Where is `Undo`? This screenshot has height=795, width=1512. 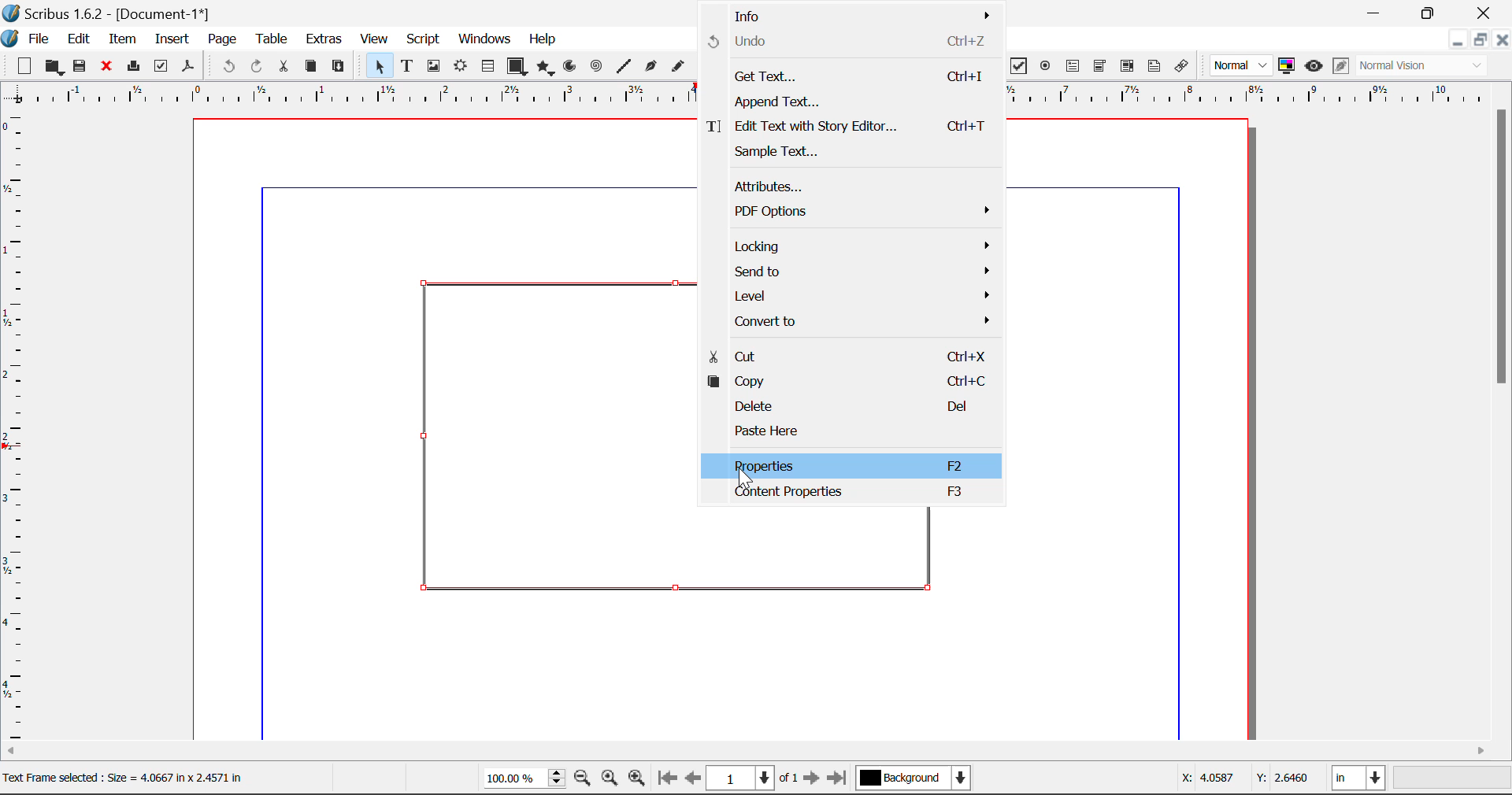
Undo is located at coordinates (226, 67).